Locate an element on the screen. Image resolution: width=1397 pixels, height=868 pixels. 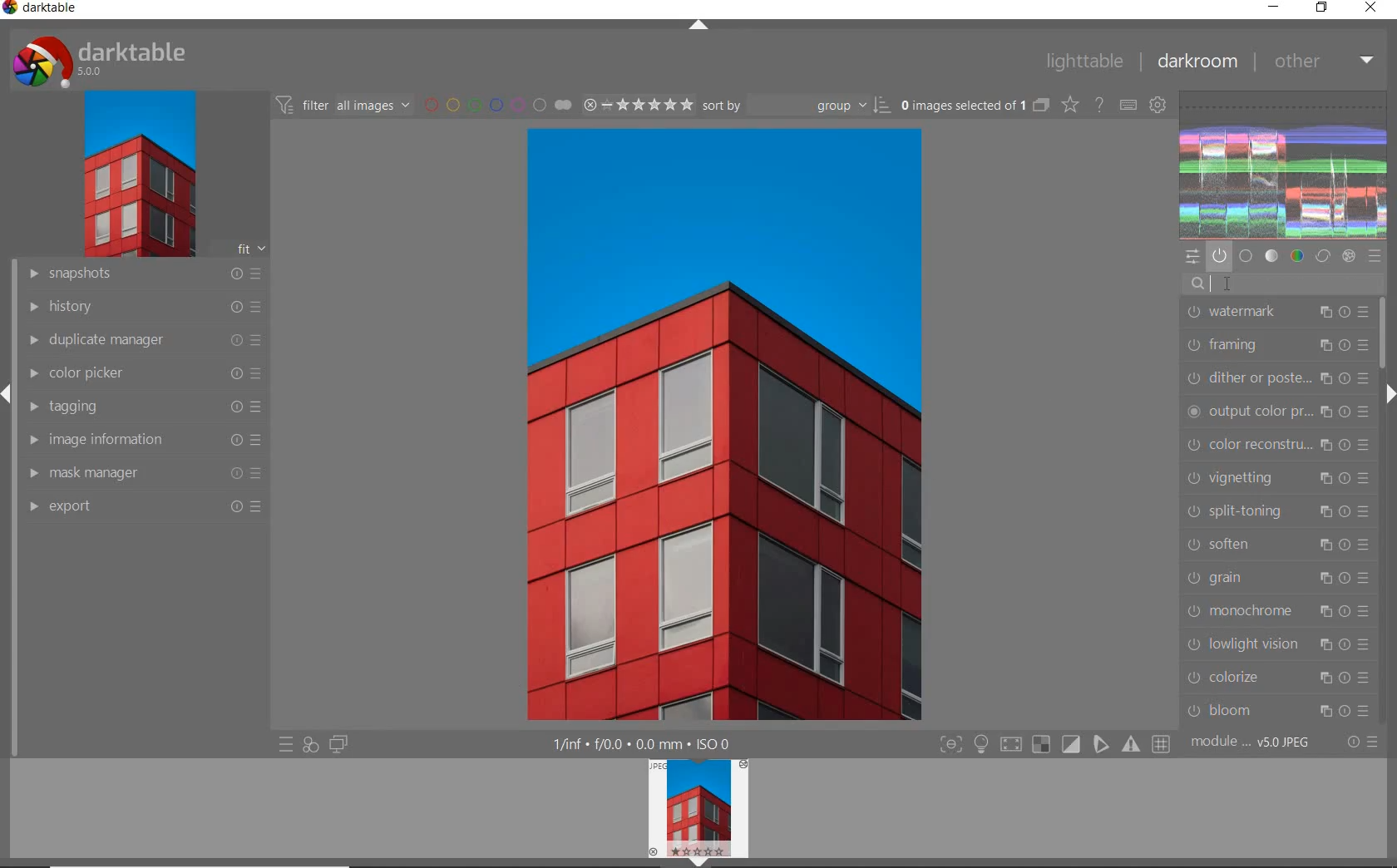
darkroom is located at coordinates (1197, 59).